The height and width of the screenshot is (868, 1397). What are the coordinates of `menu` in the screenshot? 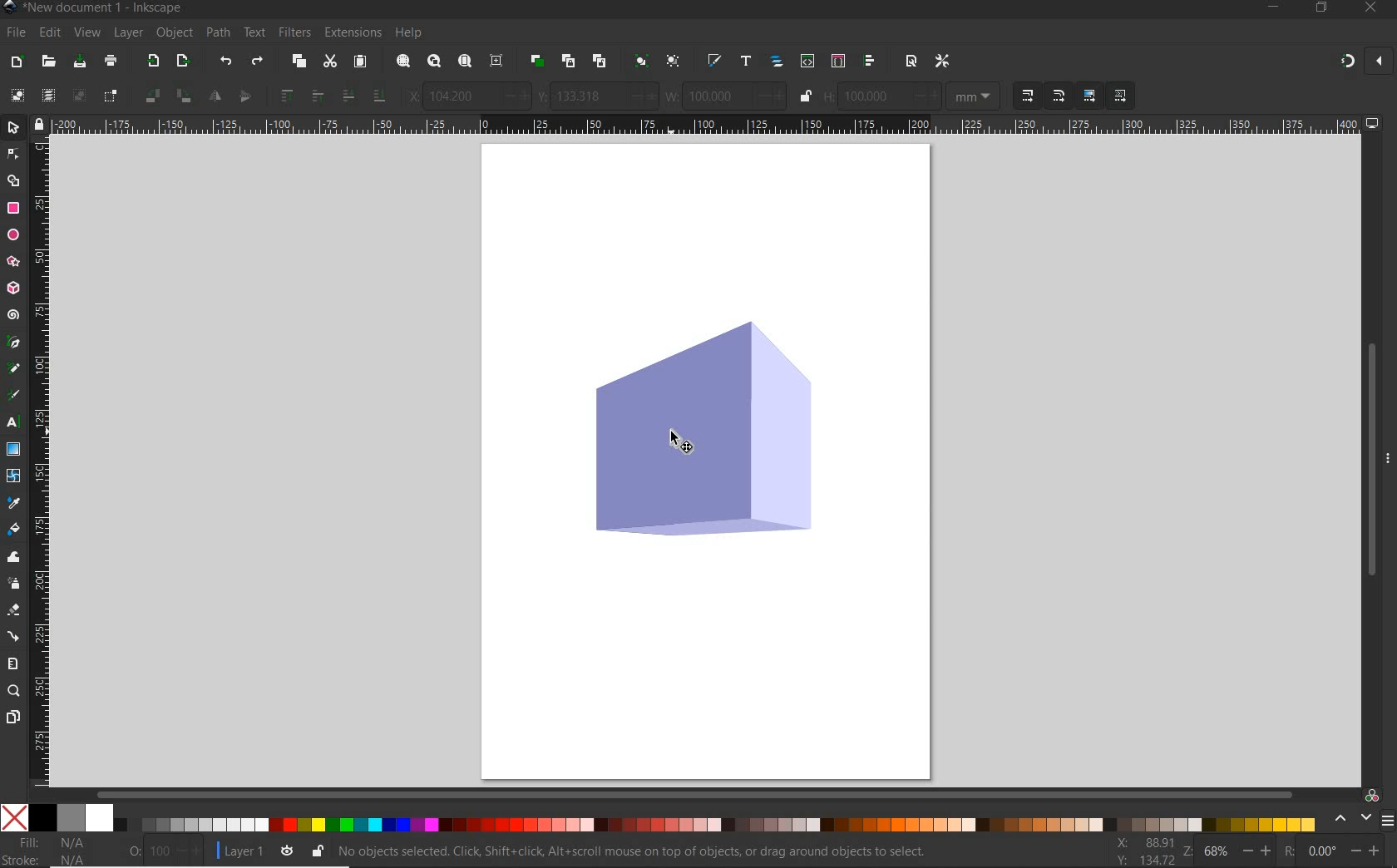 It's located at (1388, 820).